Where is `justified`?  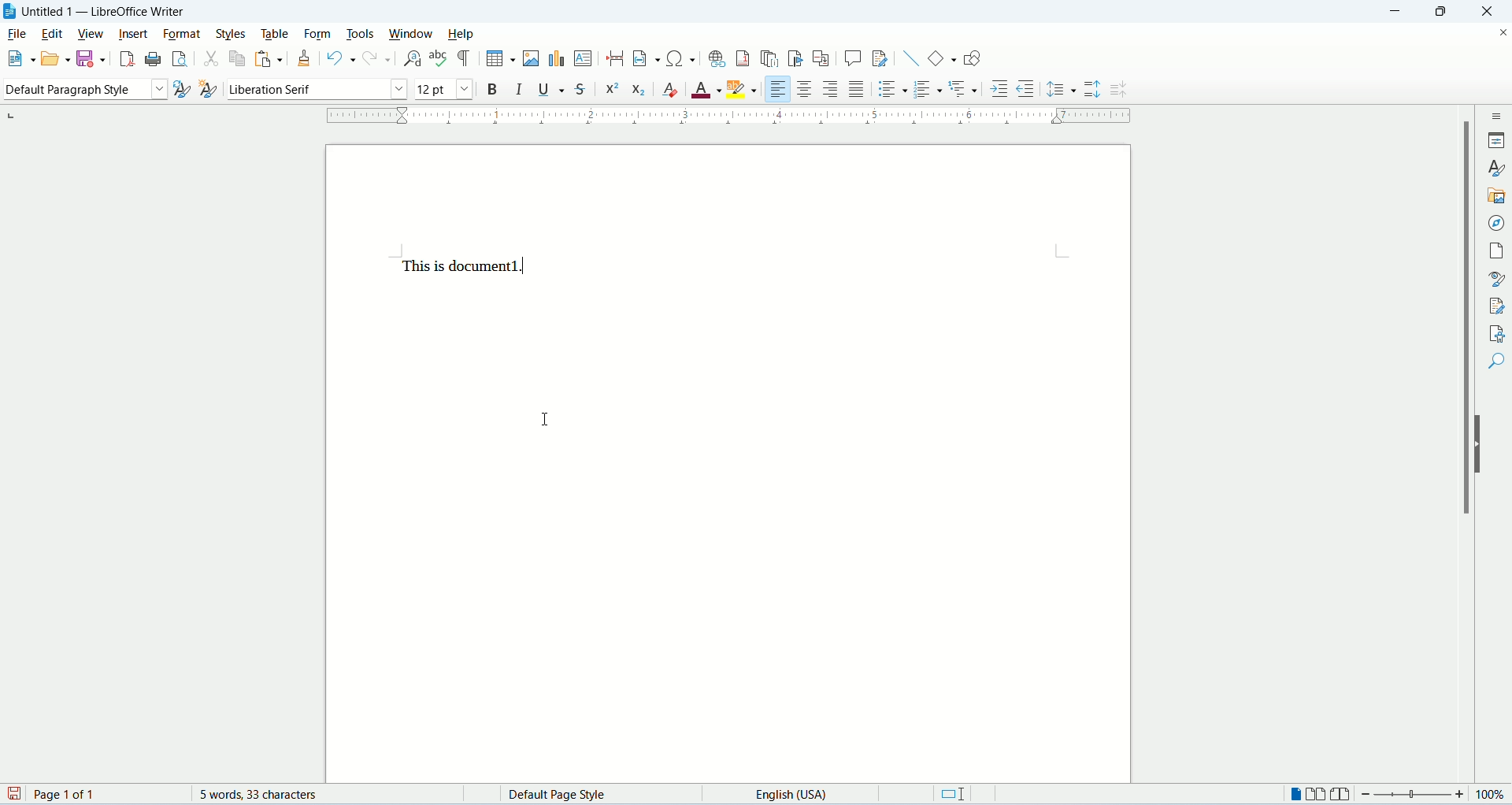 justified is located at coordinates (857, 90).